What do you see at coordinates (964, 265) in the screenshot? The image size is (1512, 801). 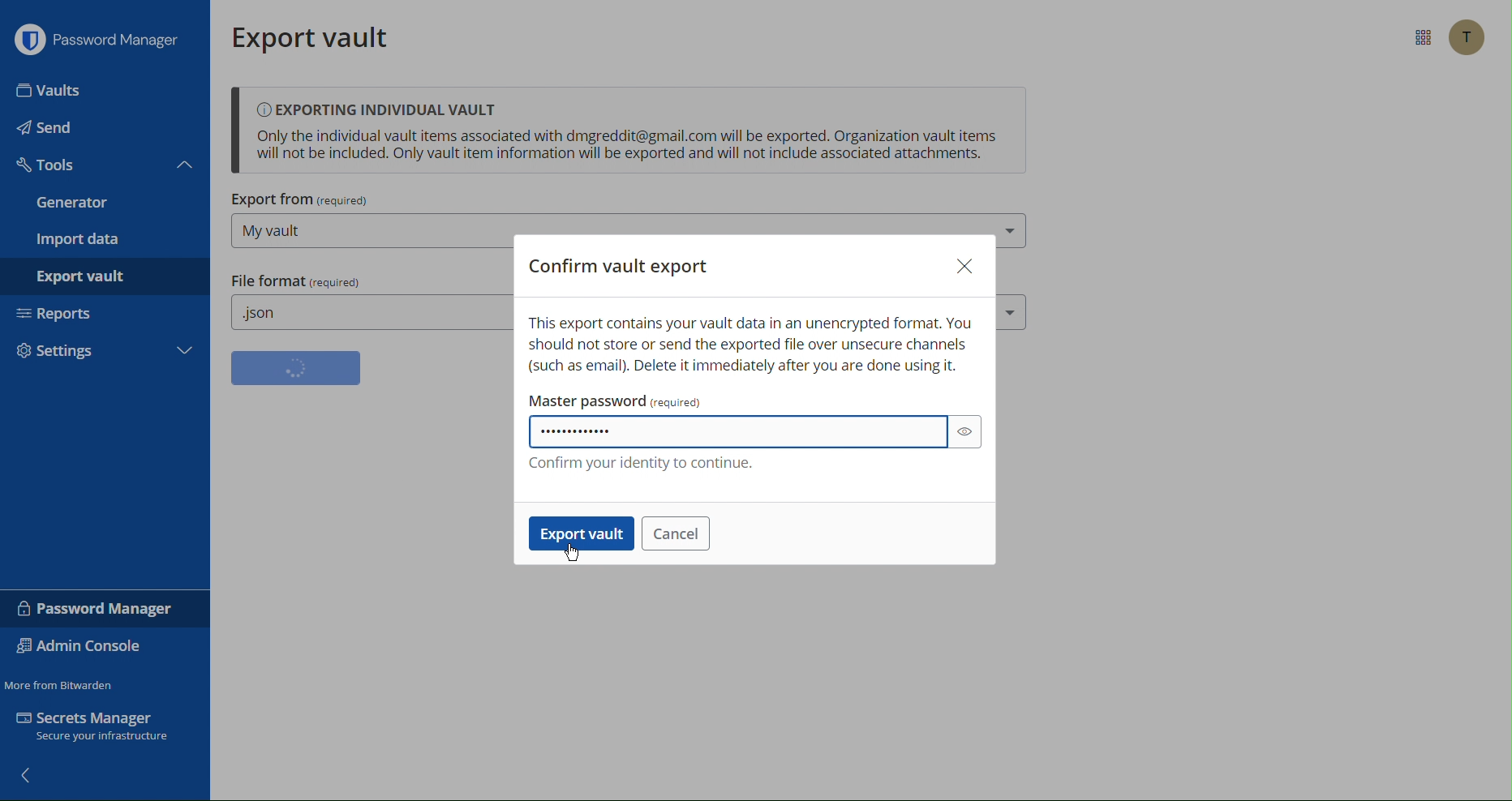 I see `Close` at bounding box center [964, 265].